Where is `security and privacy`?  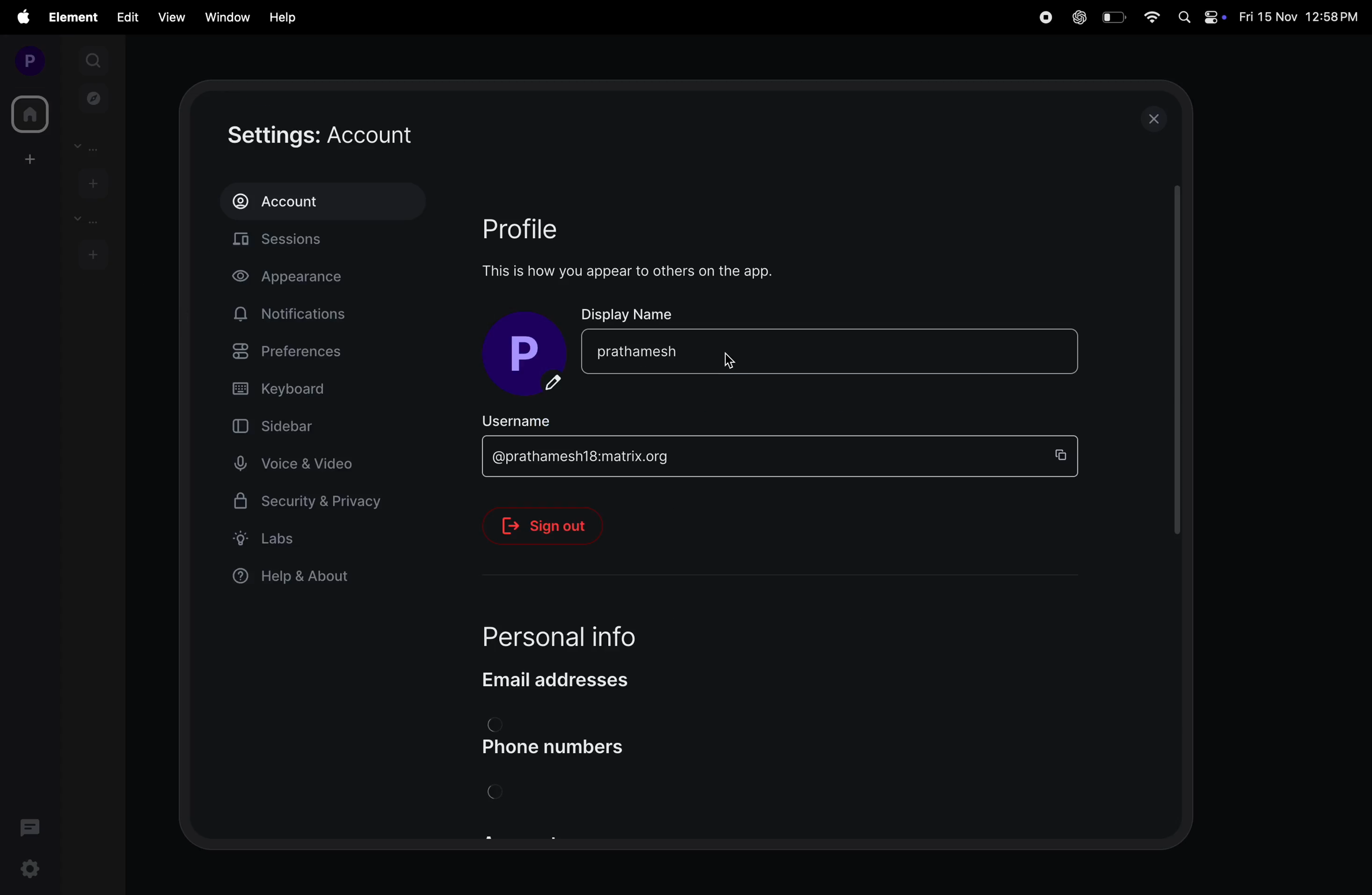
security and privacy is located at coordinates (309, 505).